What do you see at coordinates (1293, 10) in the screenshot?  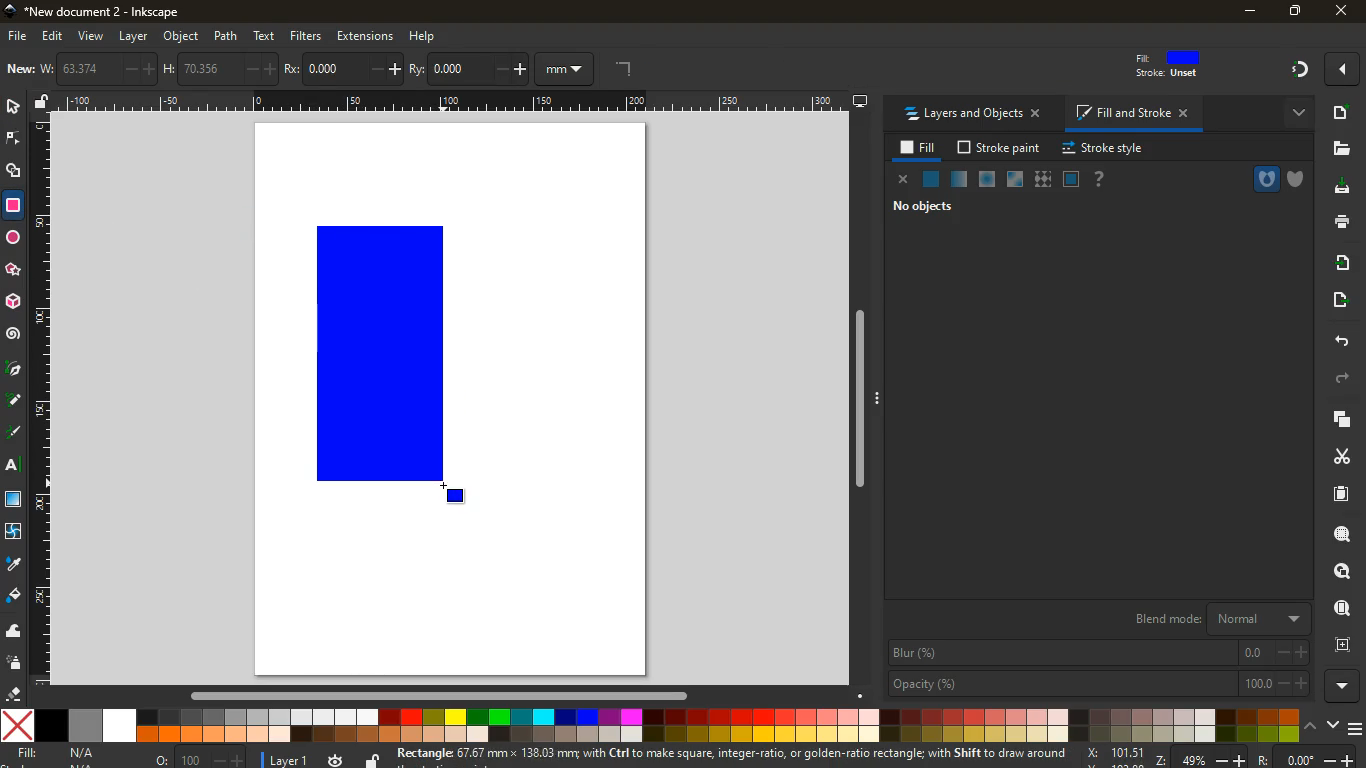 I see `maximize` at bounding box center [1293, 10].